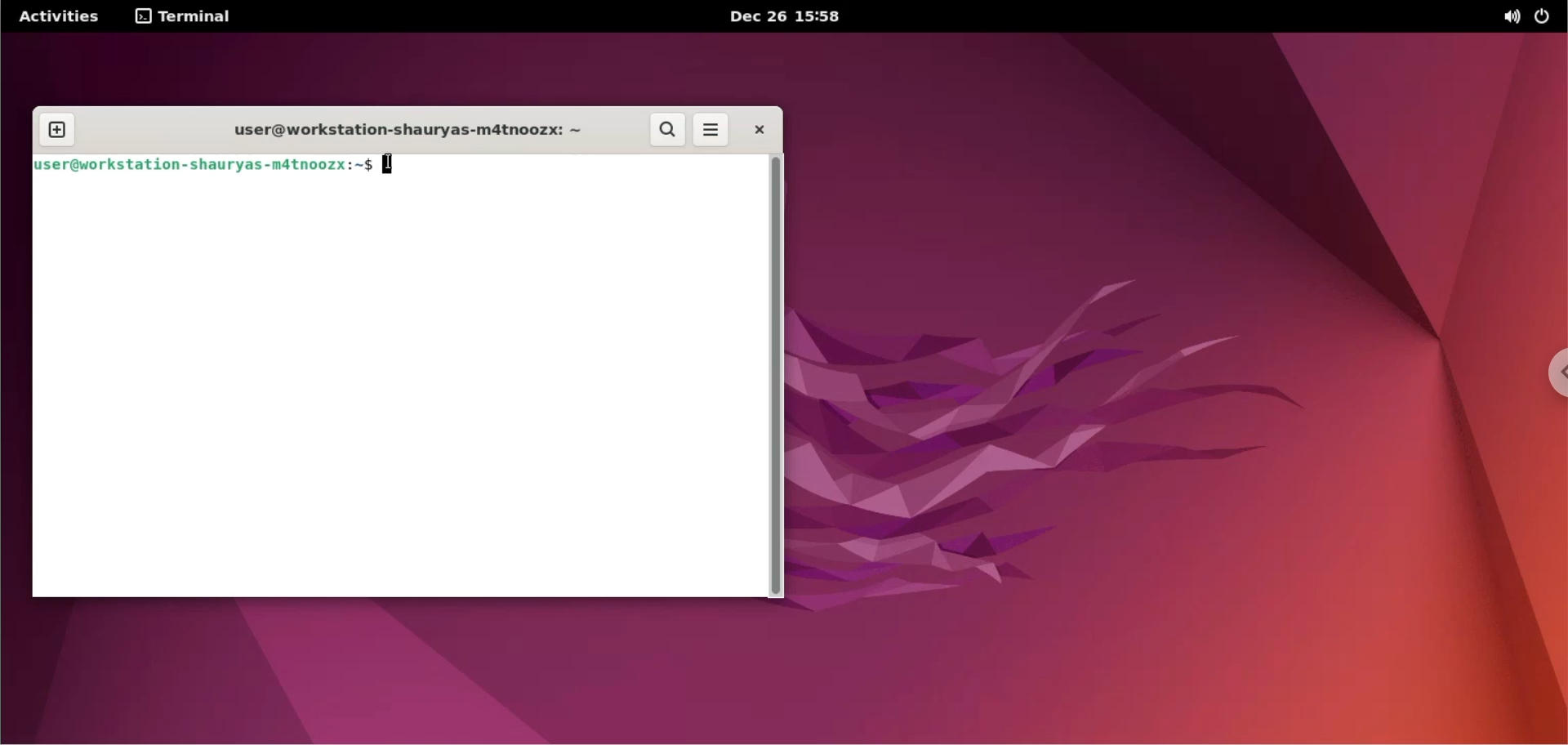 This screenshot has height=745, width=1568. What do you see at coordinates (786, 19) in the screenshot?
I see `Dec 26 15:58` at bounding box center [786, 19].